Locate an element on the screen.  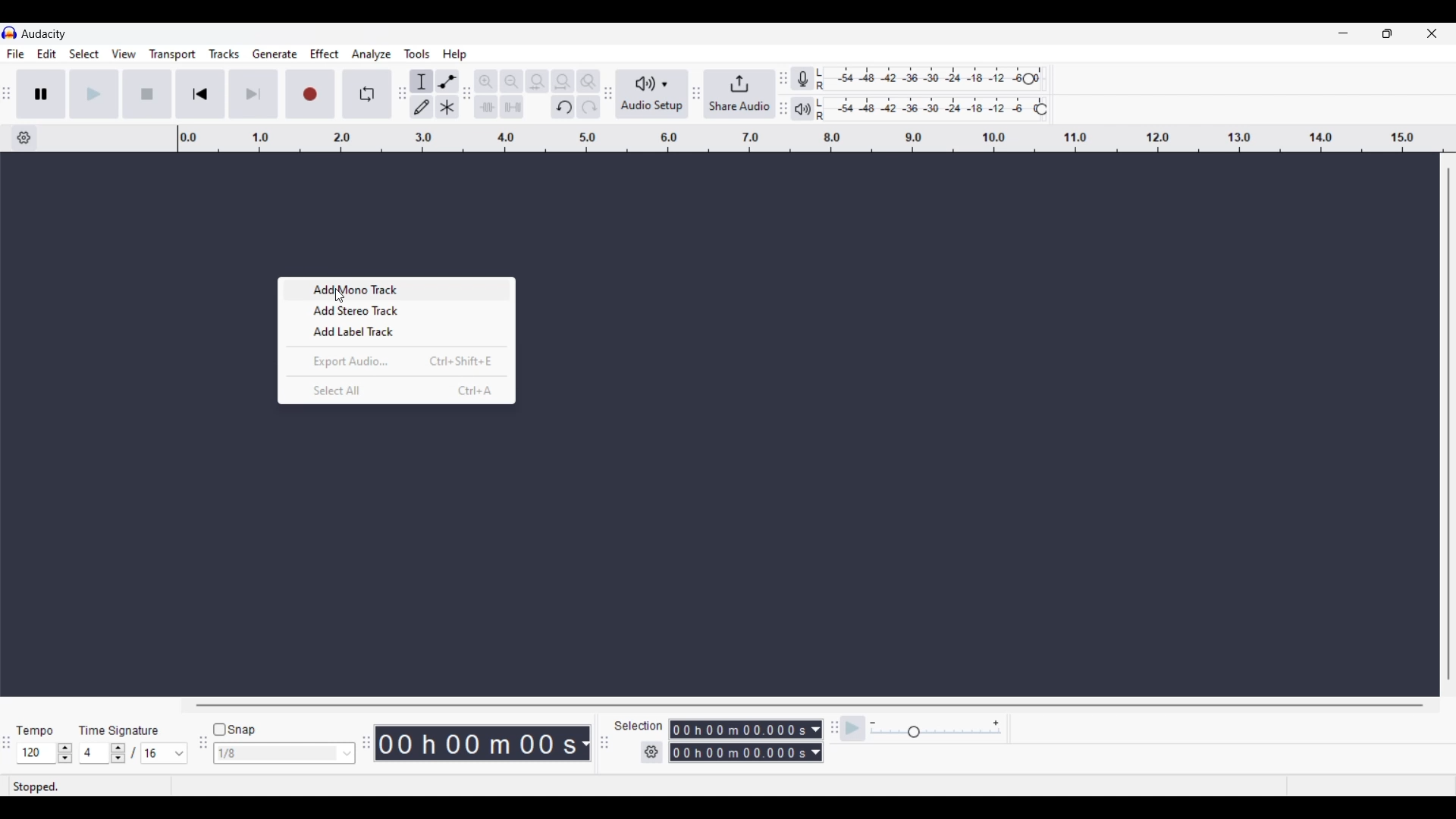
Metric options to record duration is located at coordinates (814, 742).